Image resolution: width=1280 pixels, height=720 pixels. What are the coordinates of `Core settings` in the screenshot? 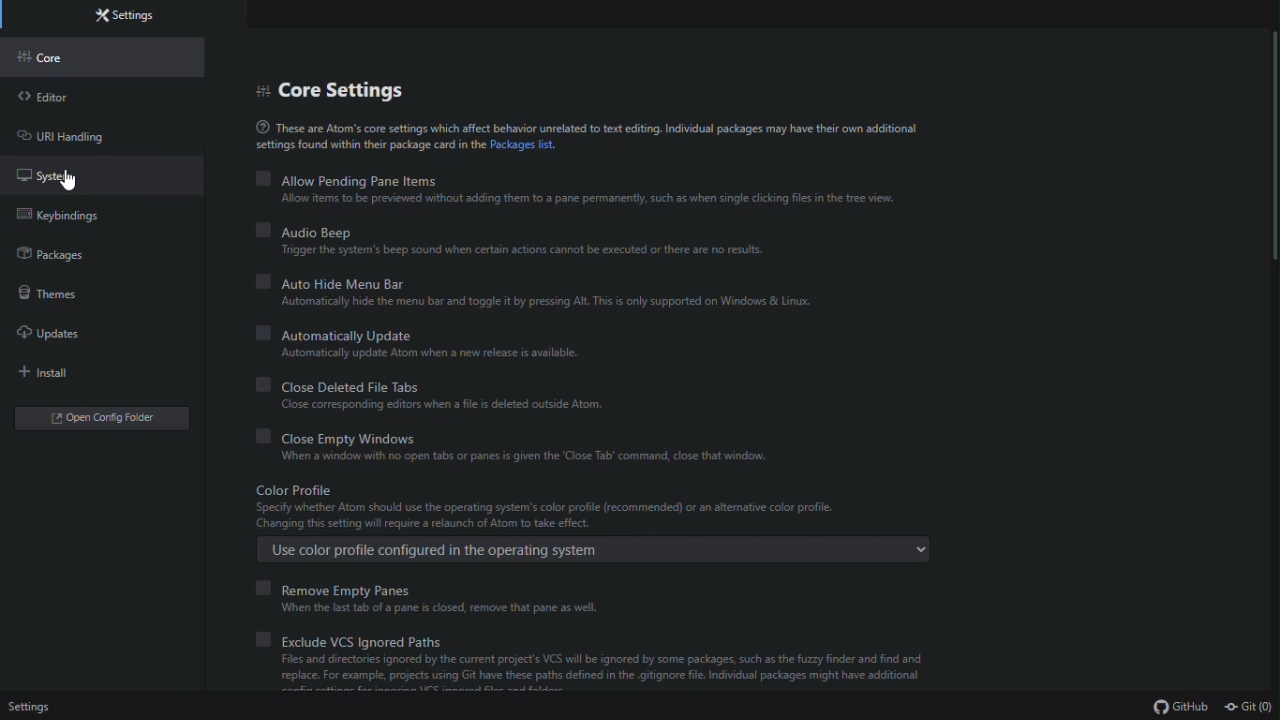 It's located at (359, 87).